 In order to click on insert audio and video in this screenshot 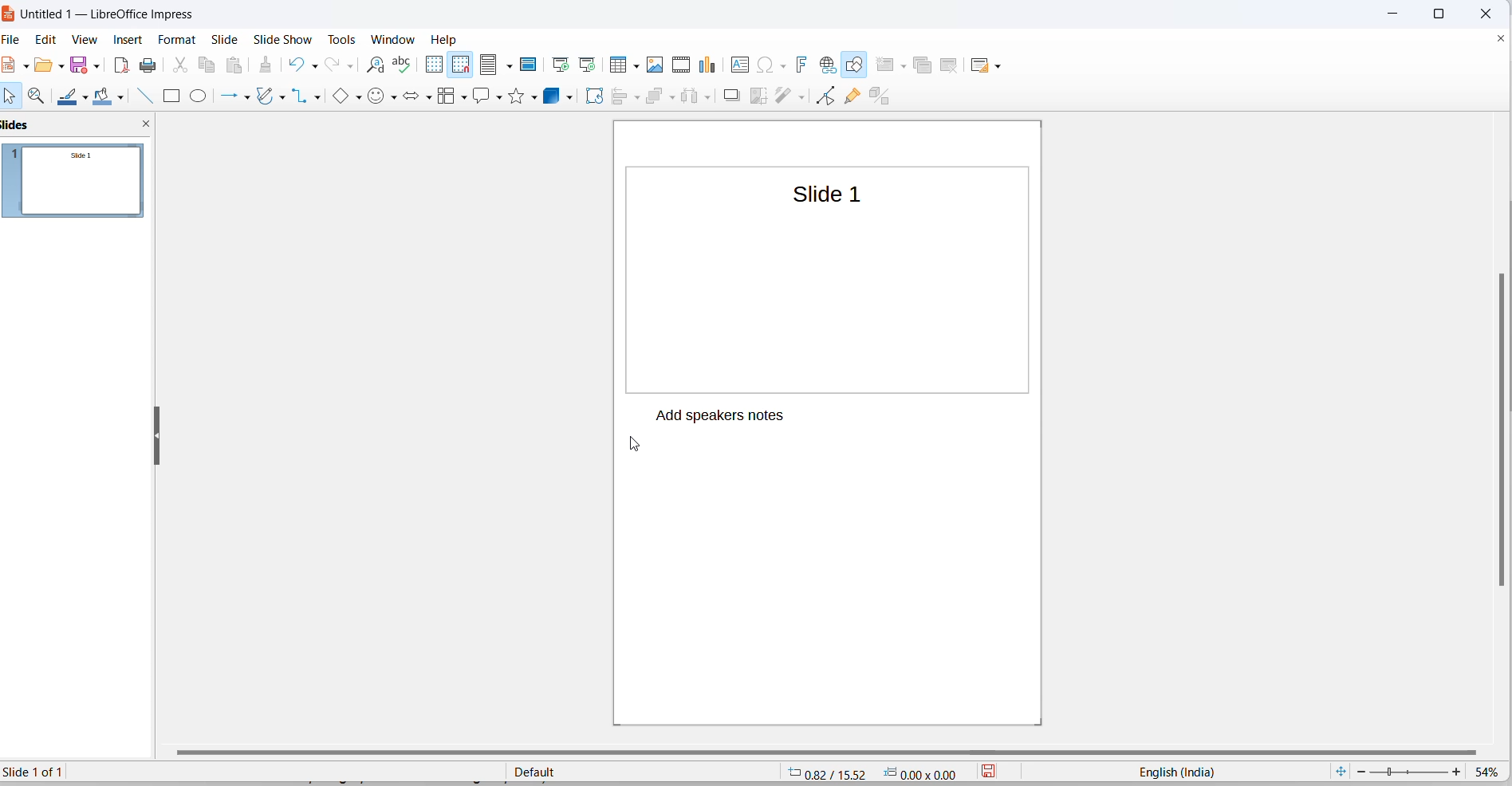, I will do `click(682, 64)`.